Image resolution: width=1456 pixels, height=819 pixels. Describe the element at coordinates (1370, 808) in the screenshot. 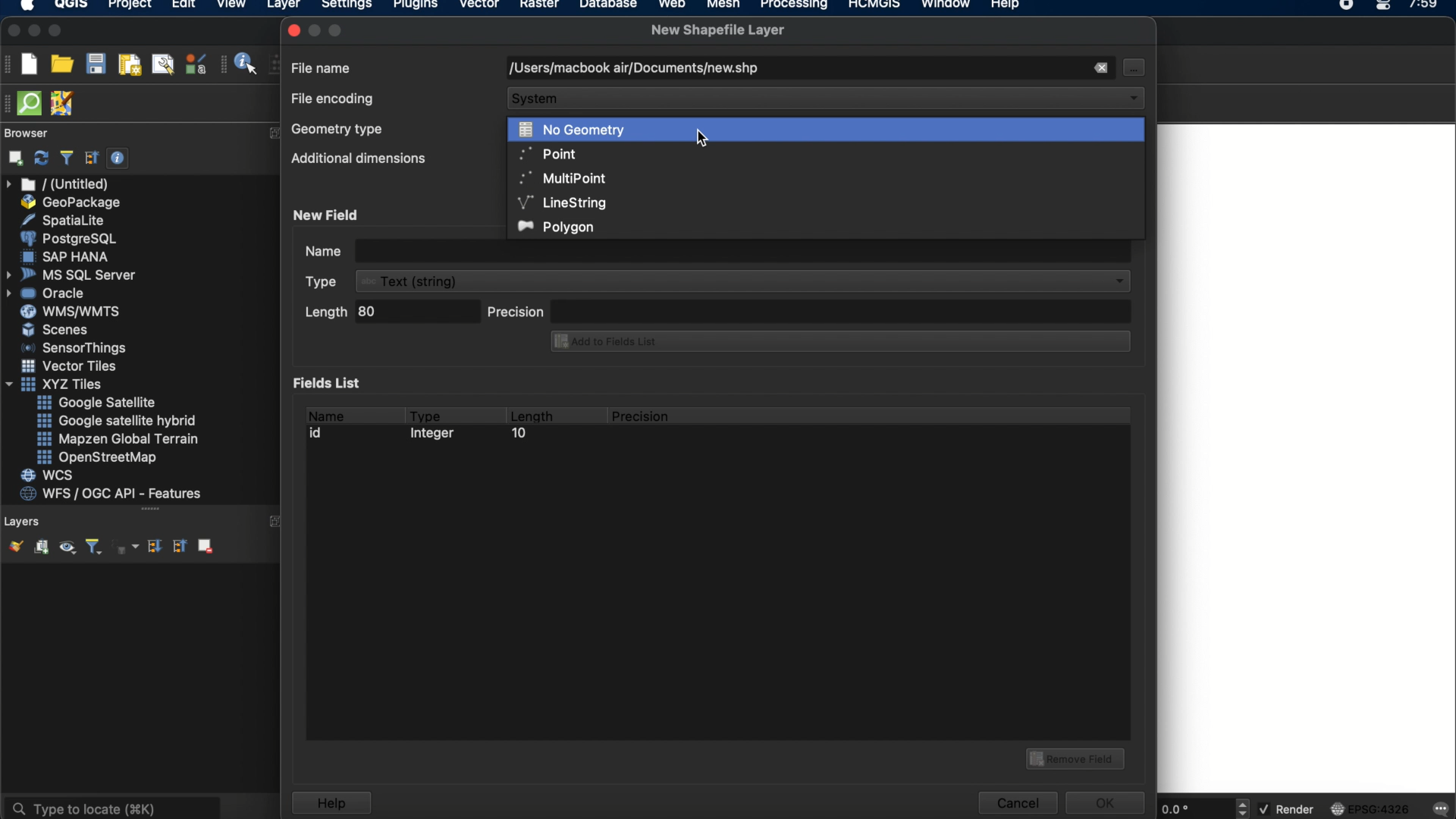

I see `current crs` at that location.